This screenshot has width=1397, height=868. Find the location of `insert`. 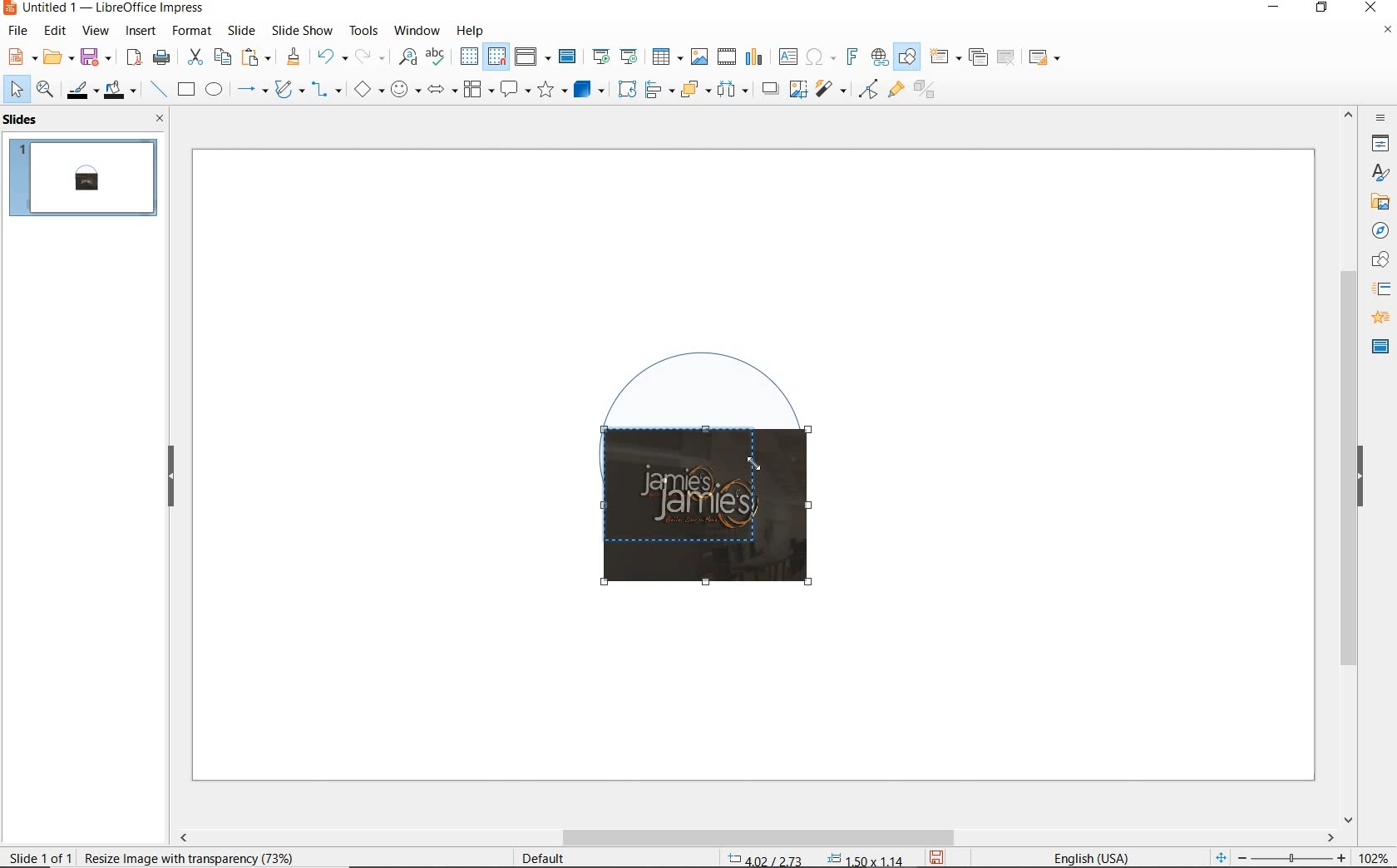

insert is located at coordinates (141, 32).